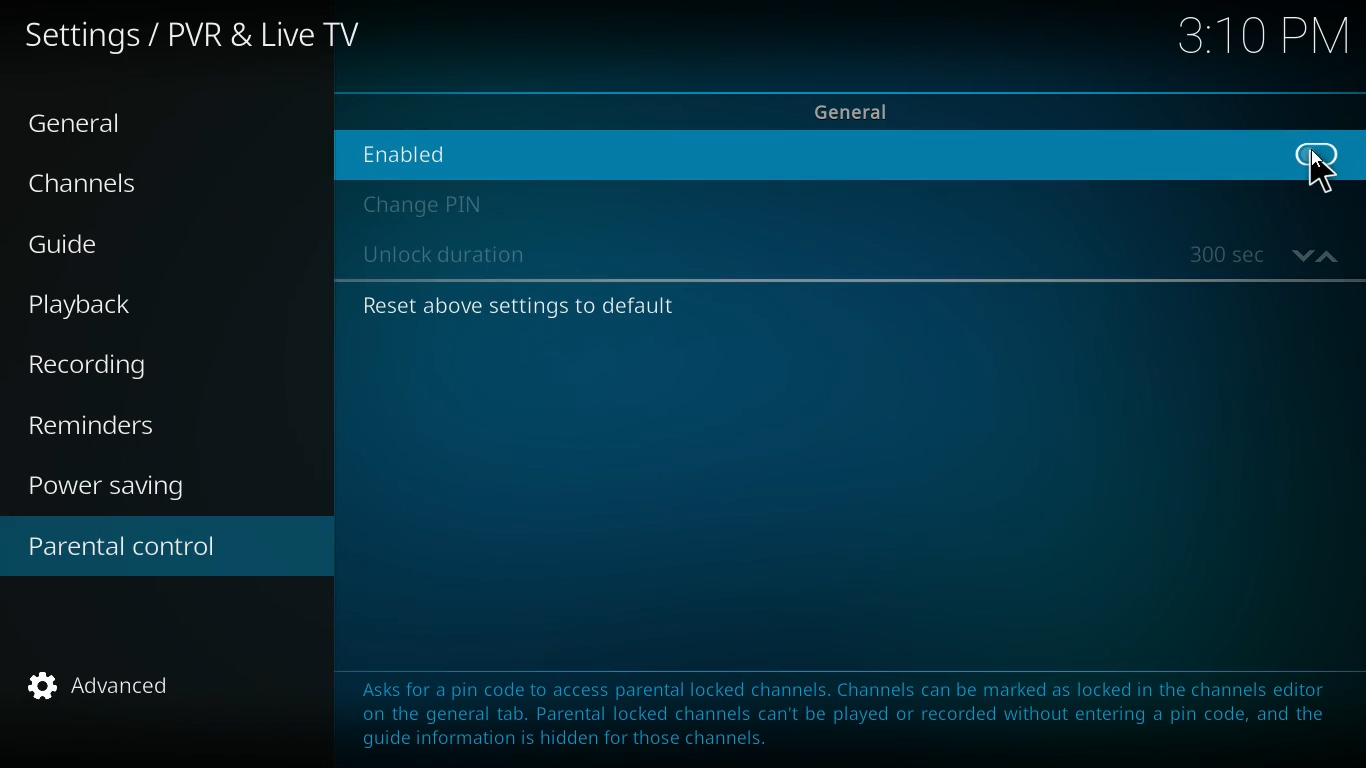  I want to click on reset, so click(518, 305).